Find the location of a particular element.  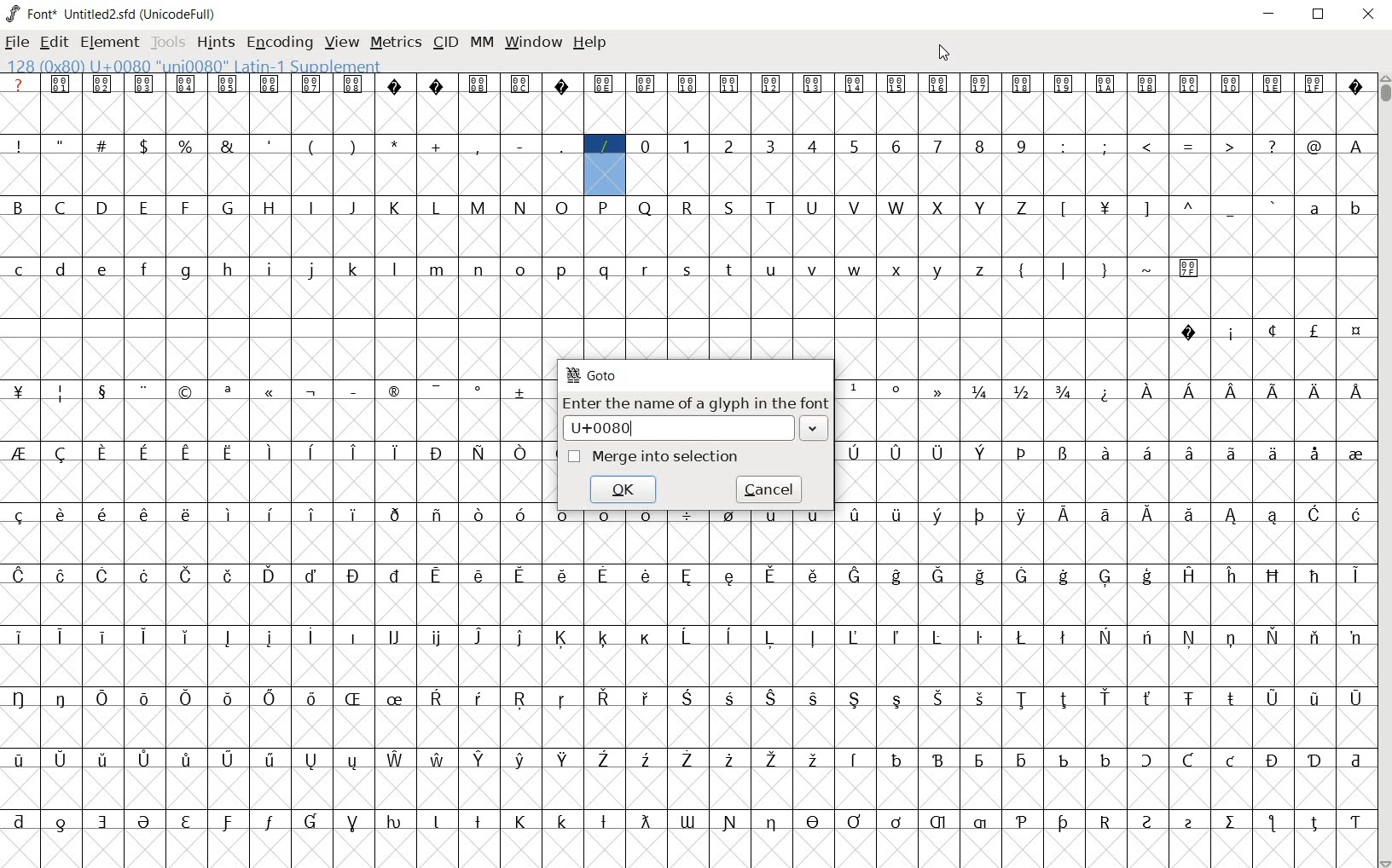

glyph is located at coordinates (728, 760).